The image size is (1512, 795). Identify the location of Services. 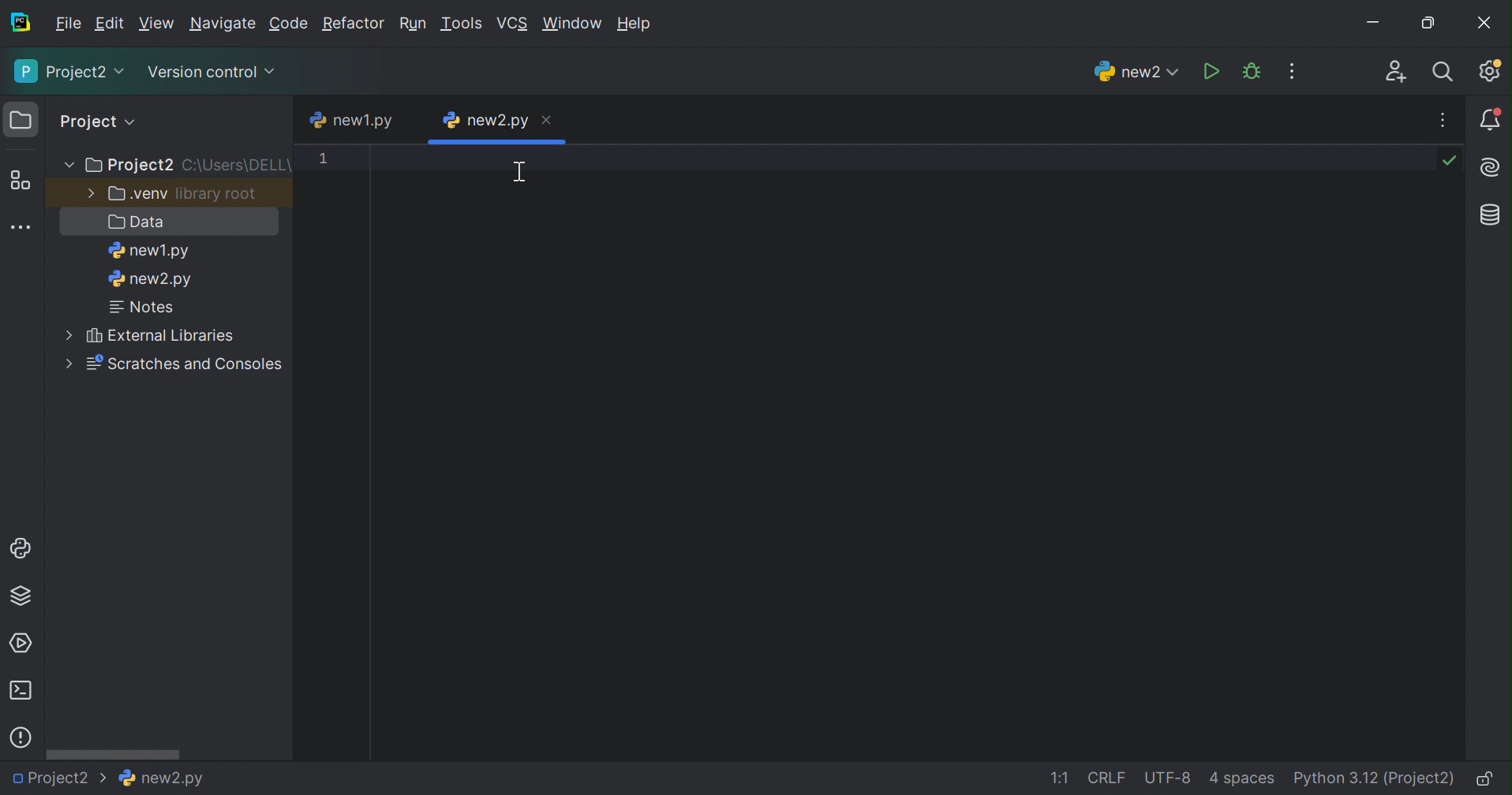
(24, 642).